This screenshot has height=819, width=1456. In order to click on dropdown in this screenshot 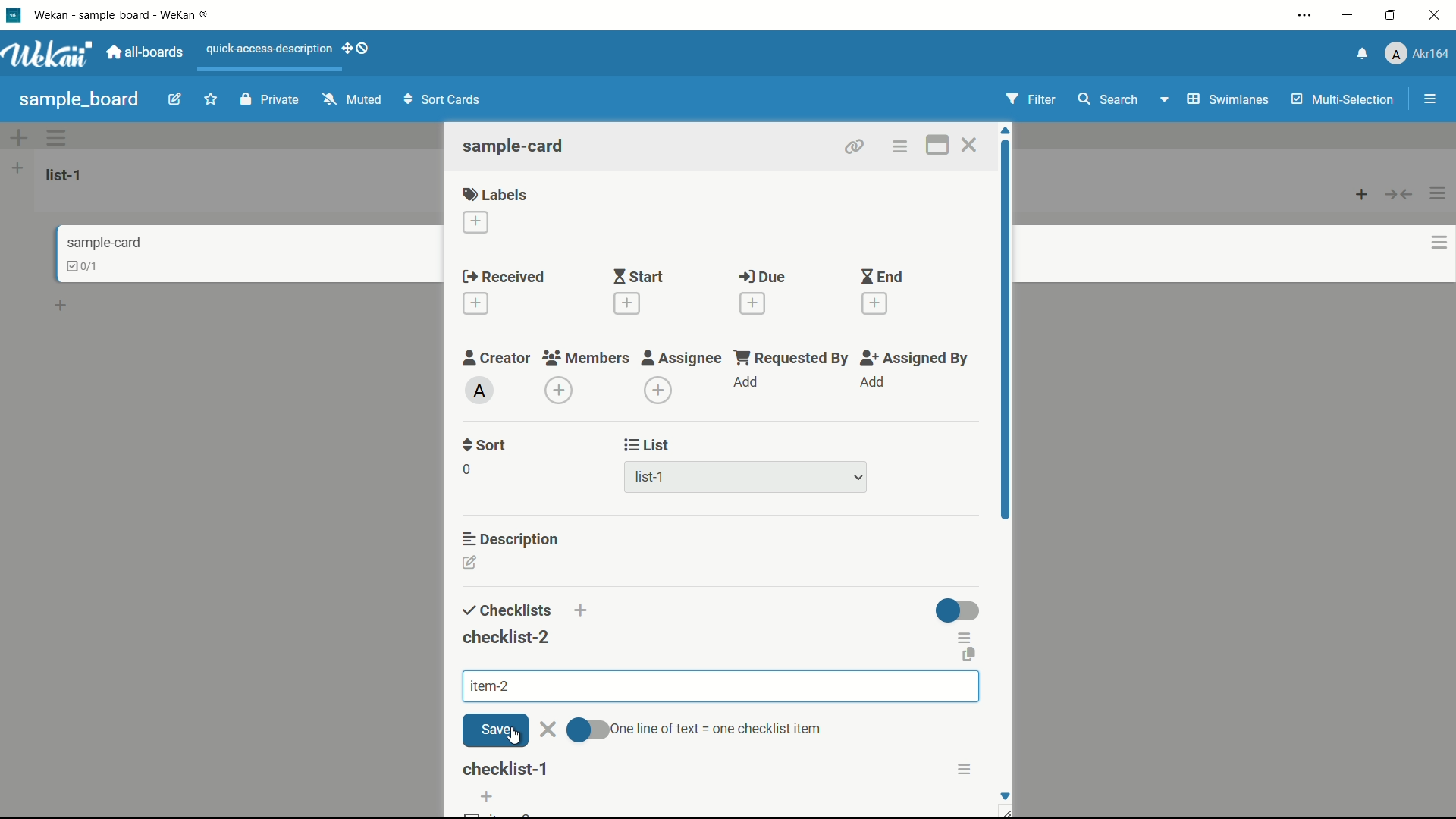, I will do `click(1163, 102)`.